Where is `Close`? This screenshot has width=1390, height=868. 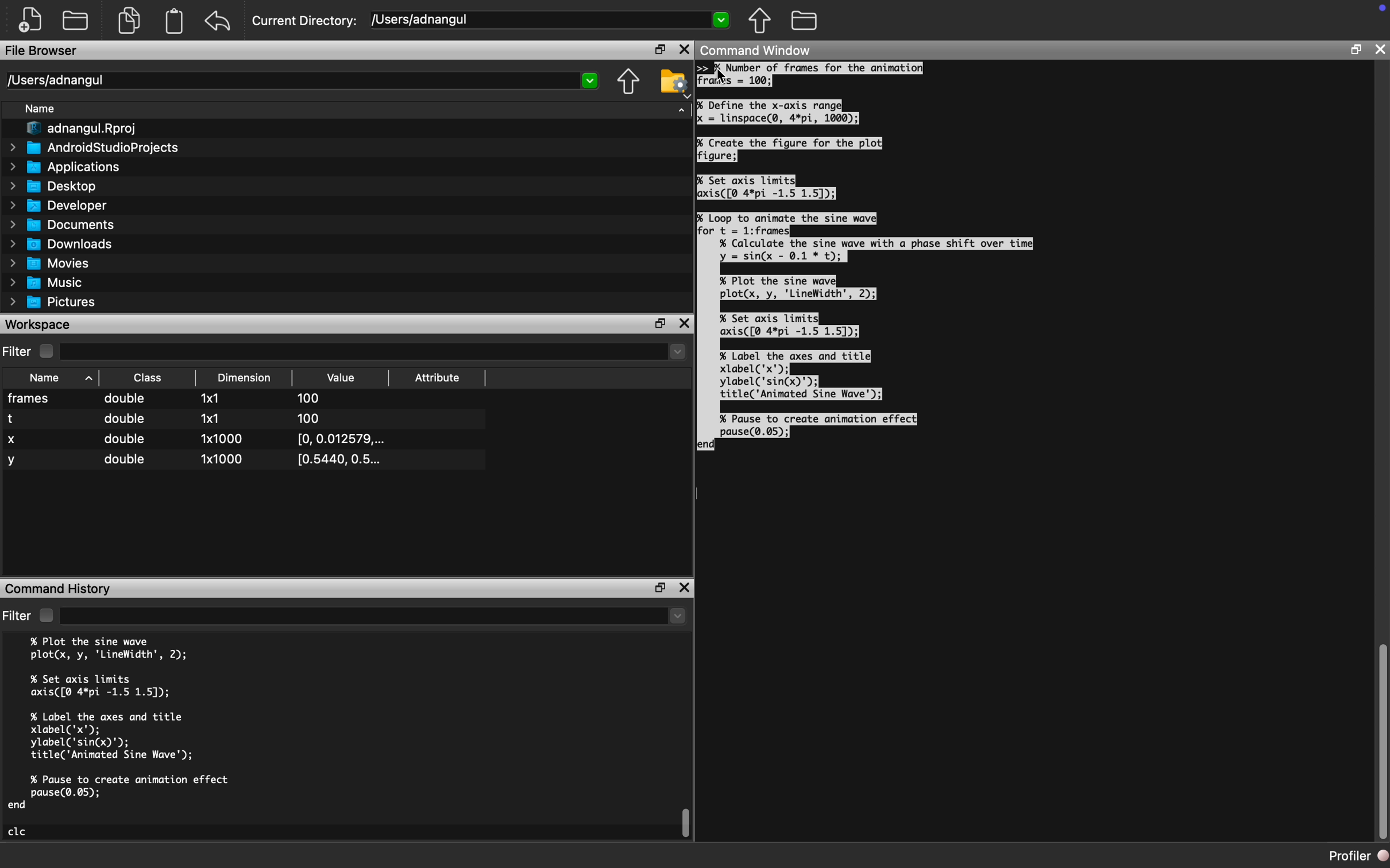
Close is located at coordinates (684, 48).